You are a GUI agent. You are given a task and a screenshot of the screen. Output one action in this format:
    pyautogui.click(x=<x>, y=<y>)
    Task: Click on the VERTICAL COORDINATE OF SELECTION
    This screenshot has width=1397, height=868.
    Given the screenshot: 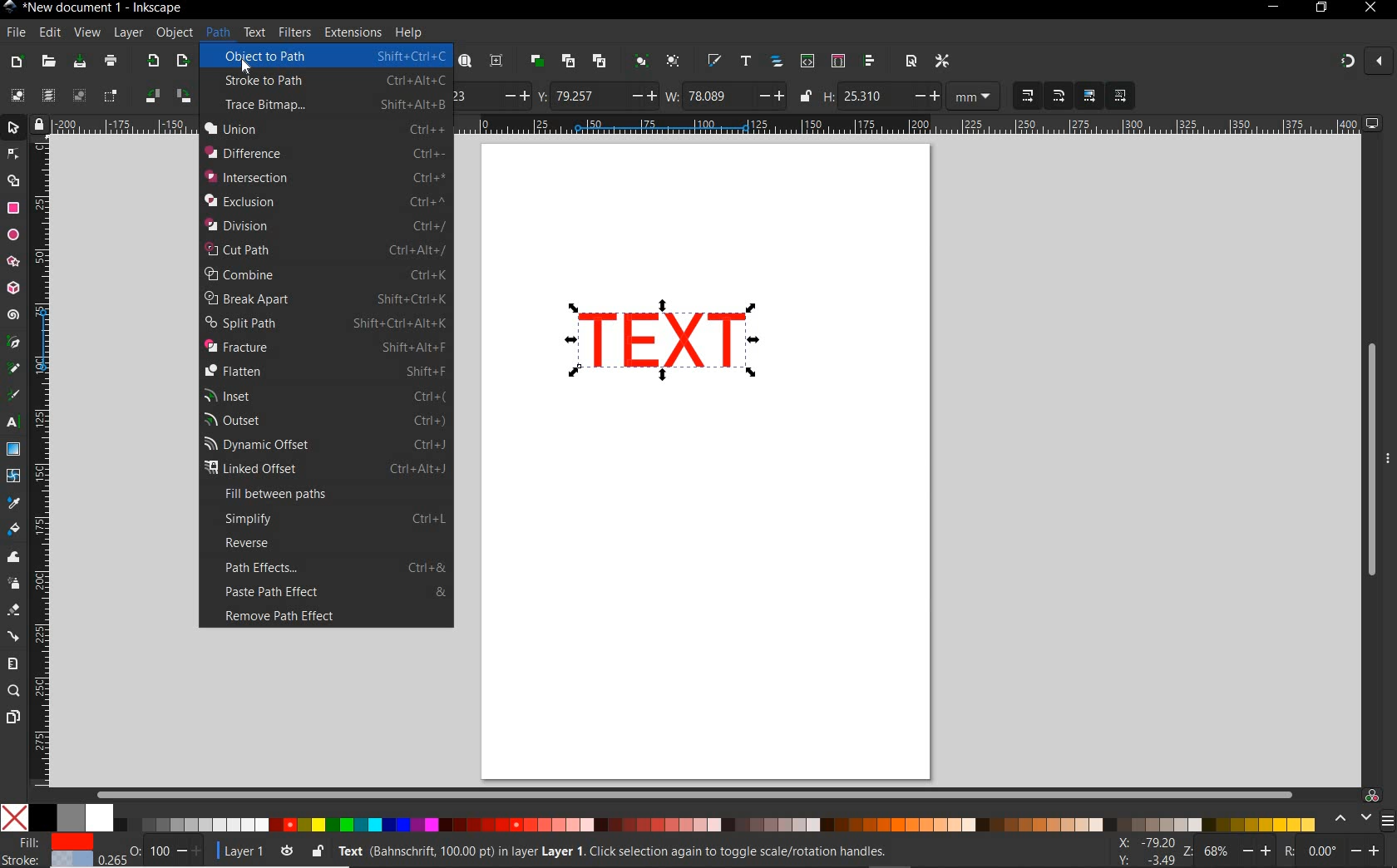 What is the action you would take?
    pyautogui.click(x=596, y=96)
    